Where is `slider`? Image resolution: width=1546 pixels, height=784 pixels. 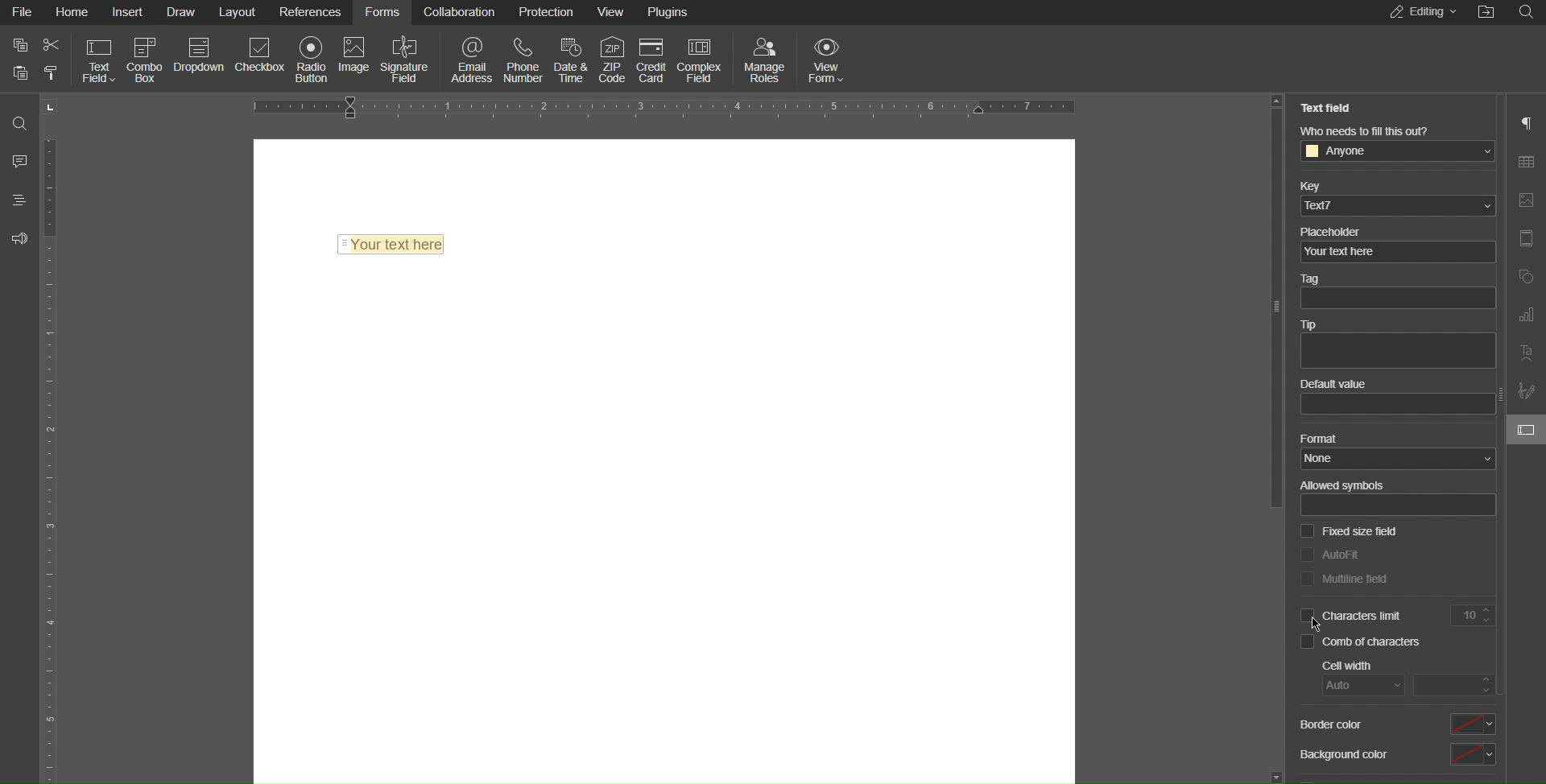
slider is located at coordinates (1275, 436).